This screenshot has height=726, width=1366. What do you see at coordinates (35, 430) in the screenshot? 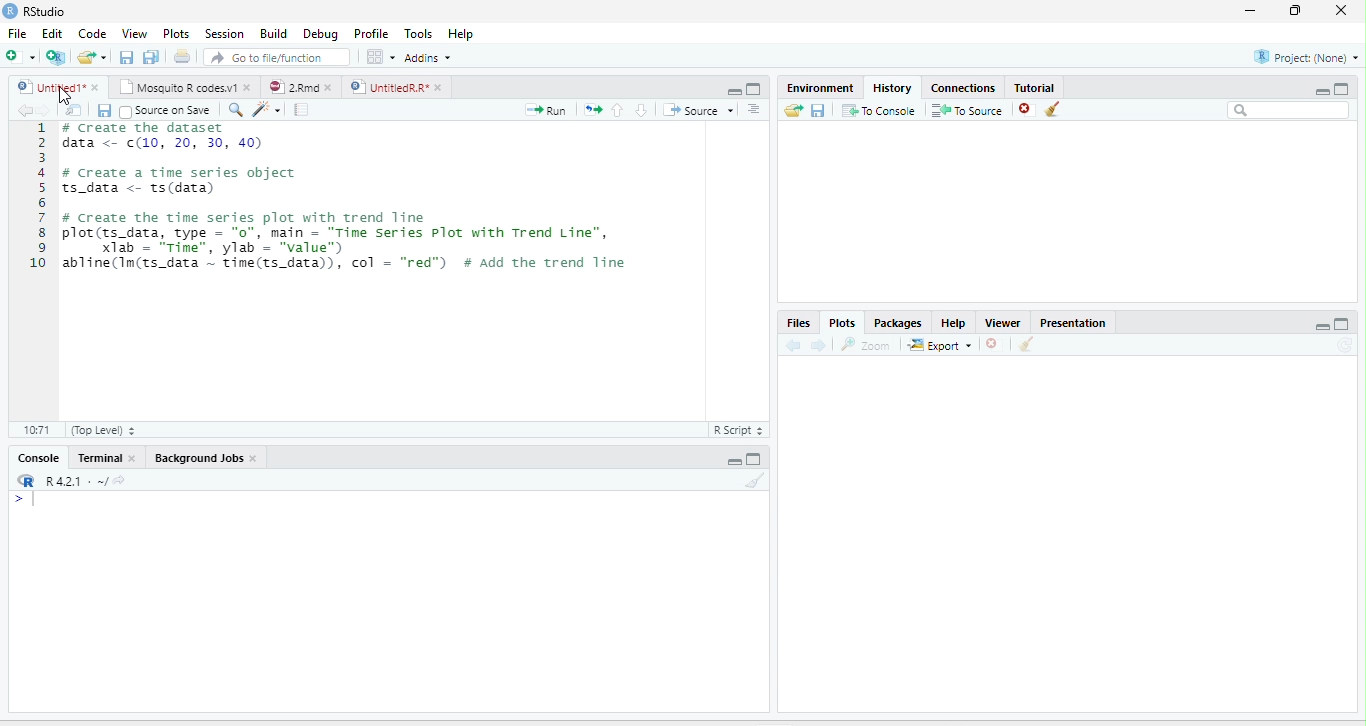
I see `1:1` at bounding box center [35, 430].